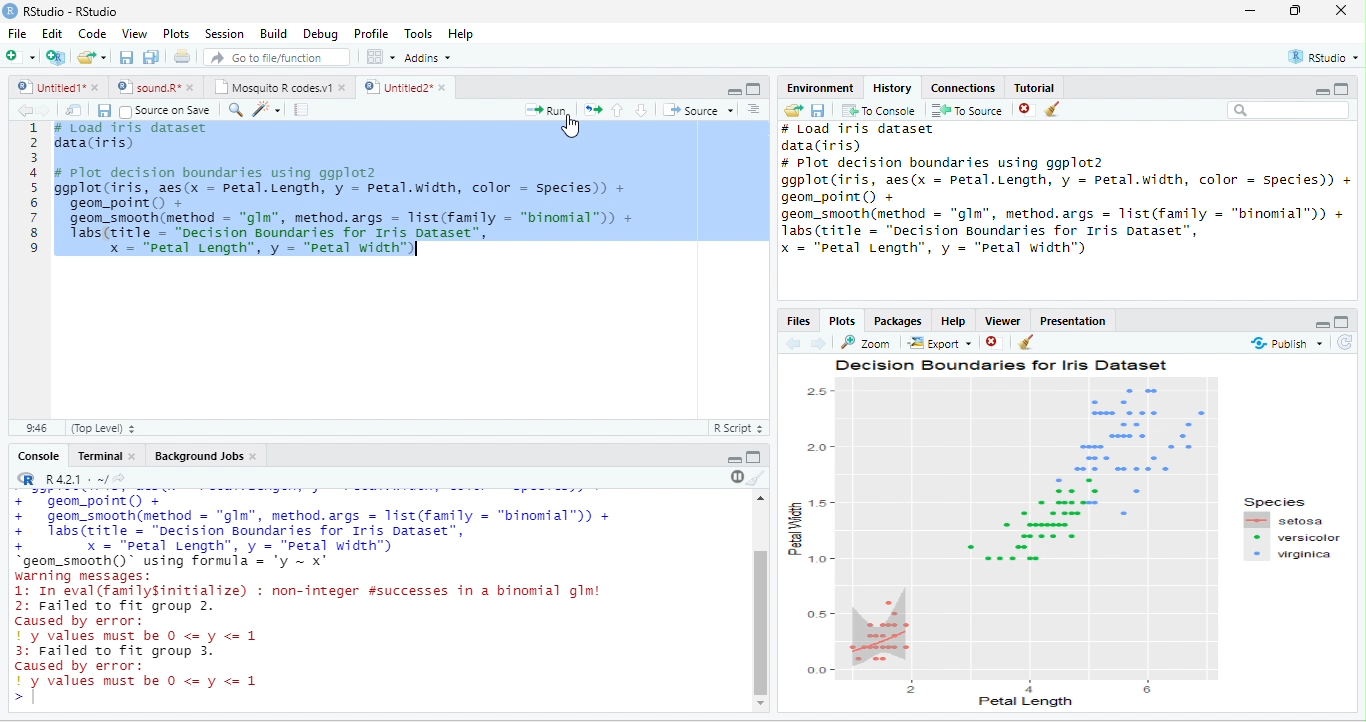 This screenshot has height=722, width=1366. What do you see at coordinates (818, 344) in the screenshot?
I see `forward` at bounding box center [818, 344].